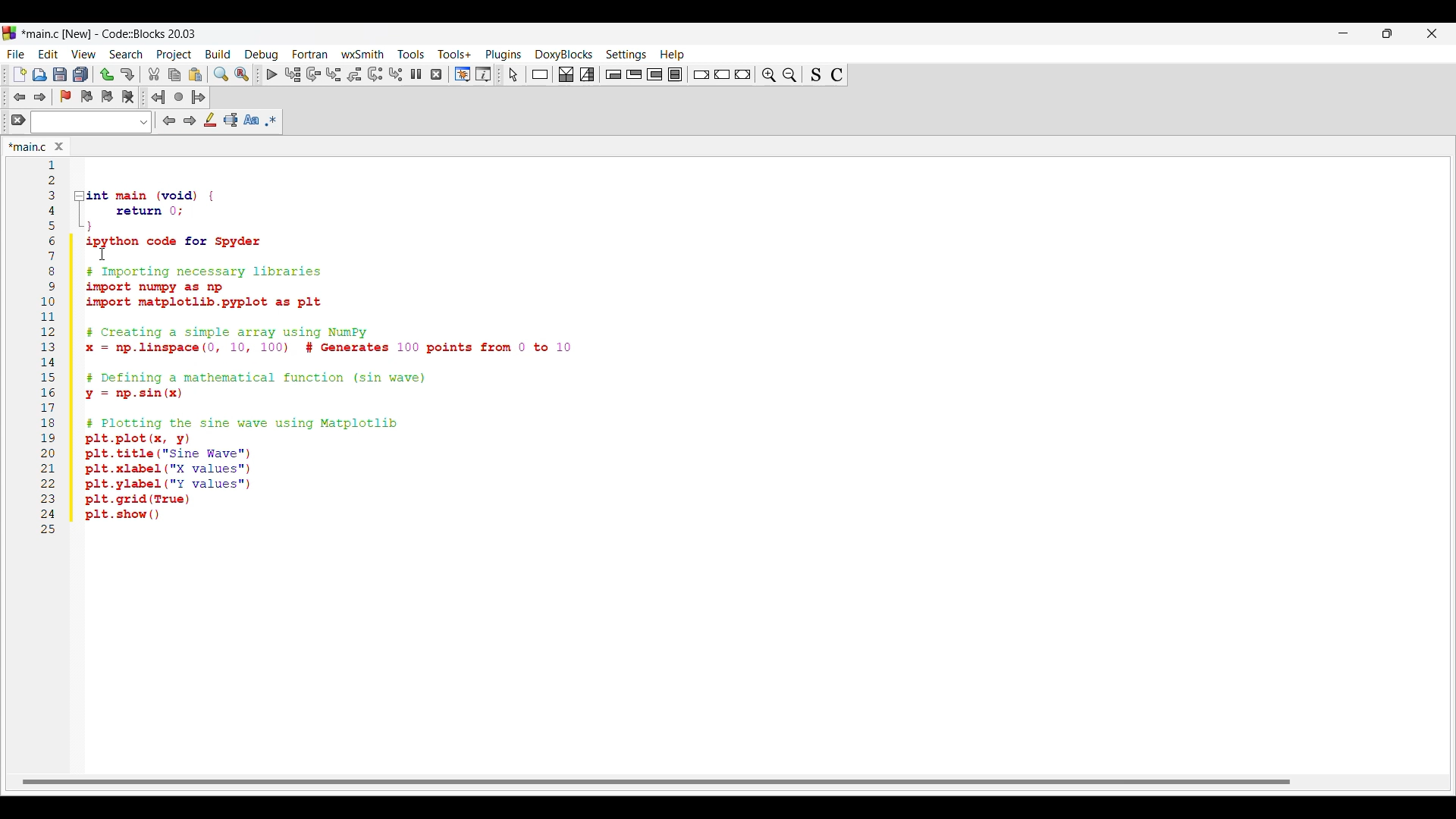 The width and height of the screenshot is (1456, 819). Describe the element at coordinates (1387, 33) in the screenshot. I see `Show in smaller tab` at that location.